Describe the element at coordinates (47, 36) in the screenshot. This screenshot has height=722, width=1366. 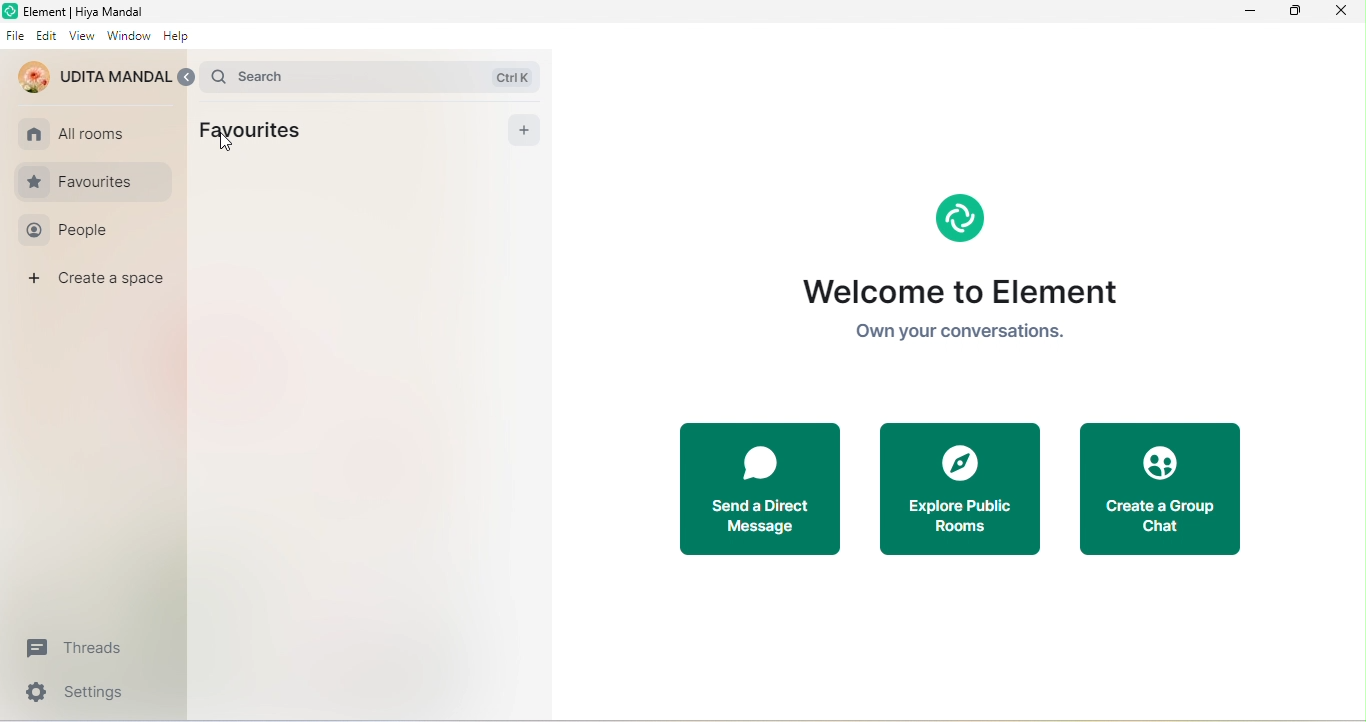
I see `edit` at that location.